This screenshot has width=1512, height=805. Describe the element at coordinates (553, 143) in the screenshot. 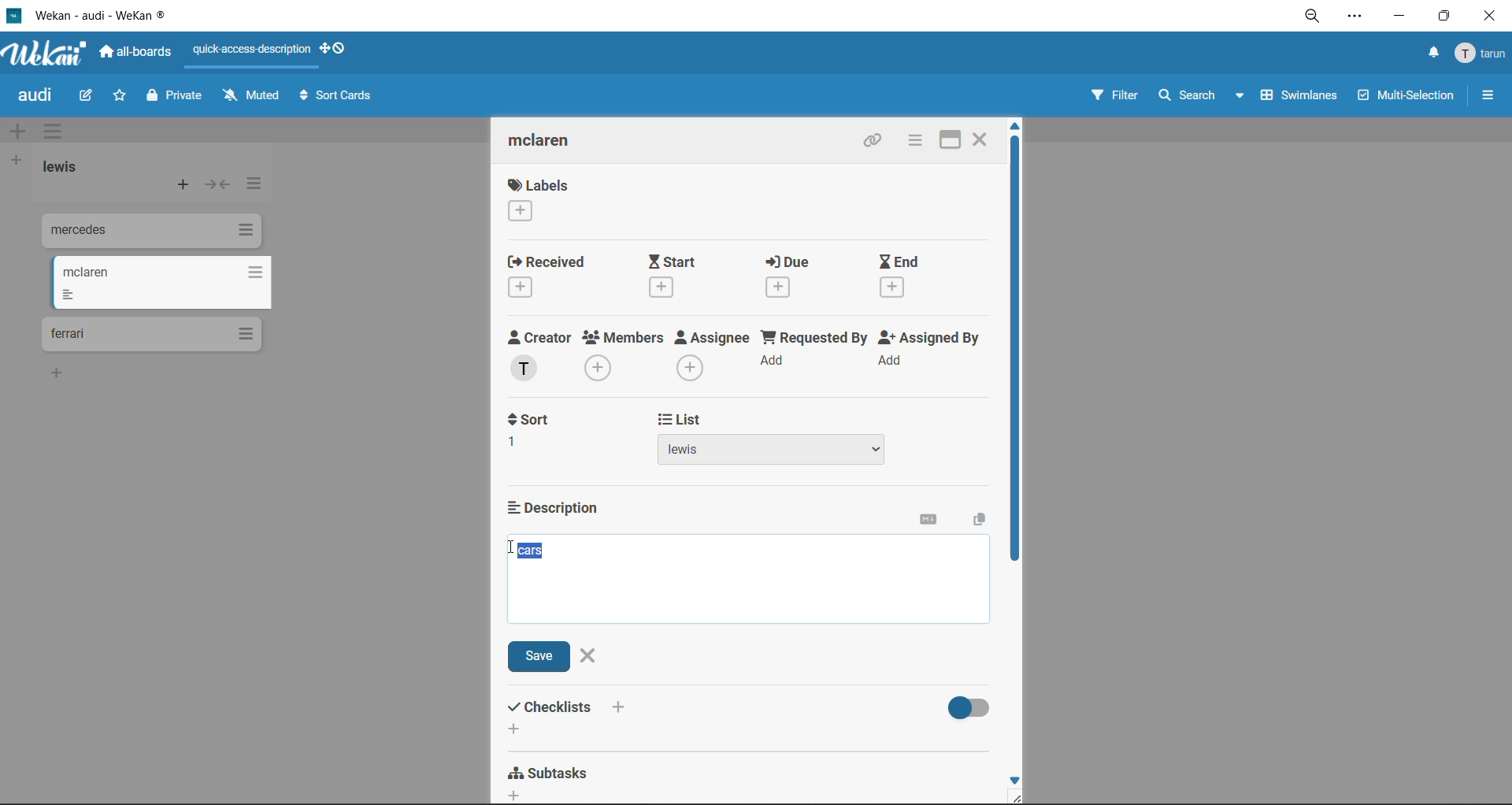

I see `card title` at that location.